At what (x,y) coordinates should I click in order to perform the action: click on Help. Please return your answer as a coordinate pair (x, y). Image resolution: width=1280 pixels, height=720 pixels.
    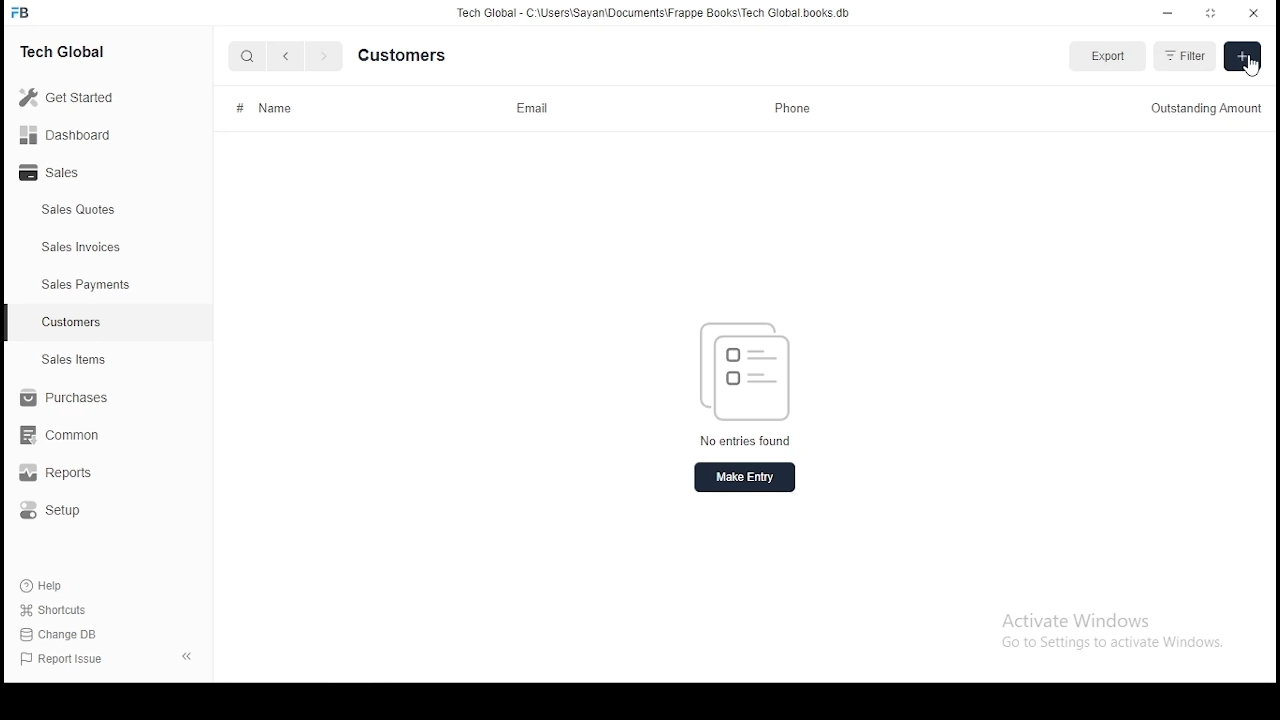
    Looking at the image, I should click on (44, 589).